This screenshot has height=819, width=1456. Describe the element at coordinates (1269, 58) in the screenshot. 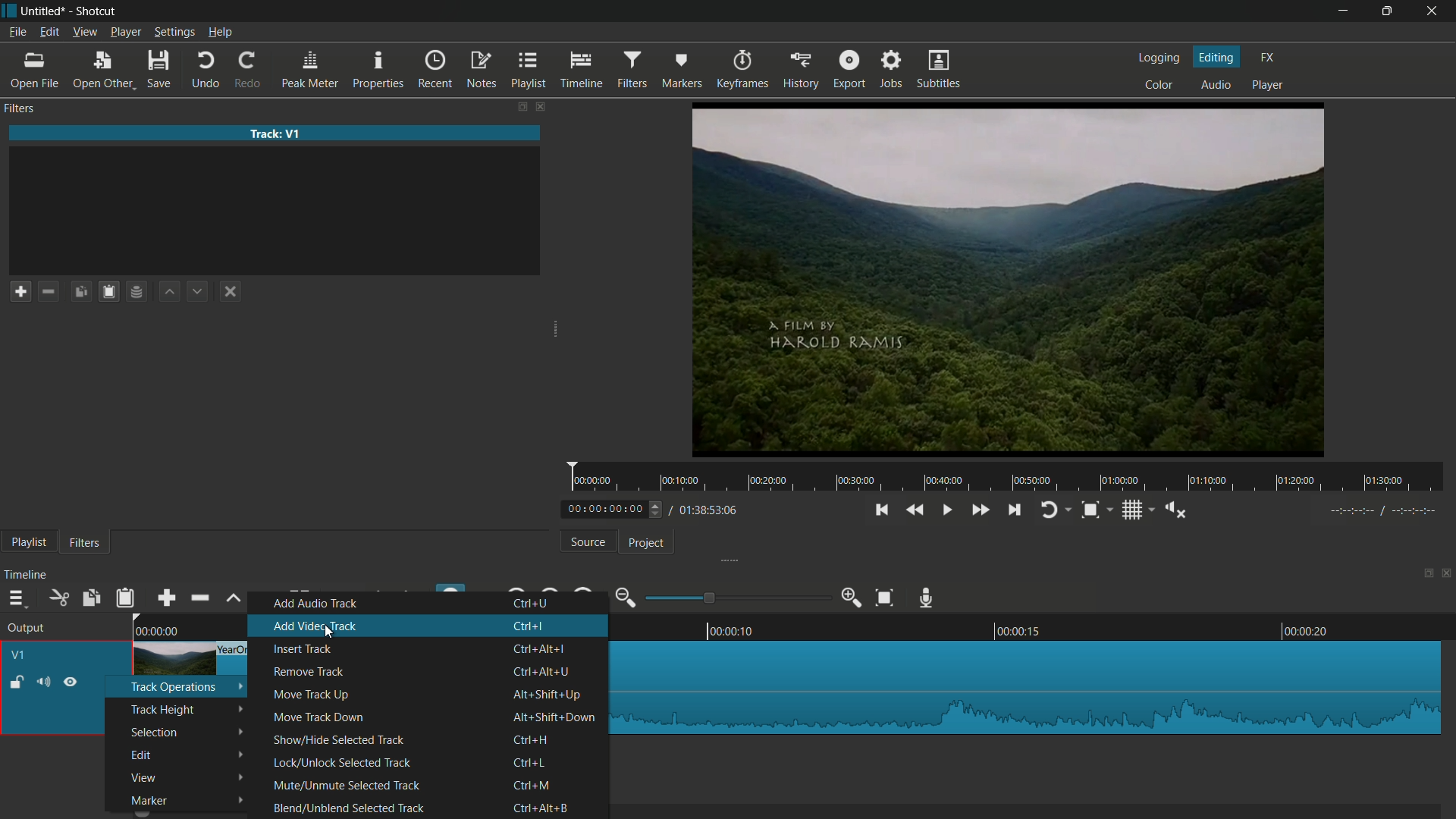

I see `fx` at that location.